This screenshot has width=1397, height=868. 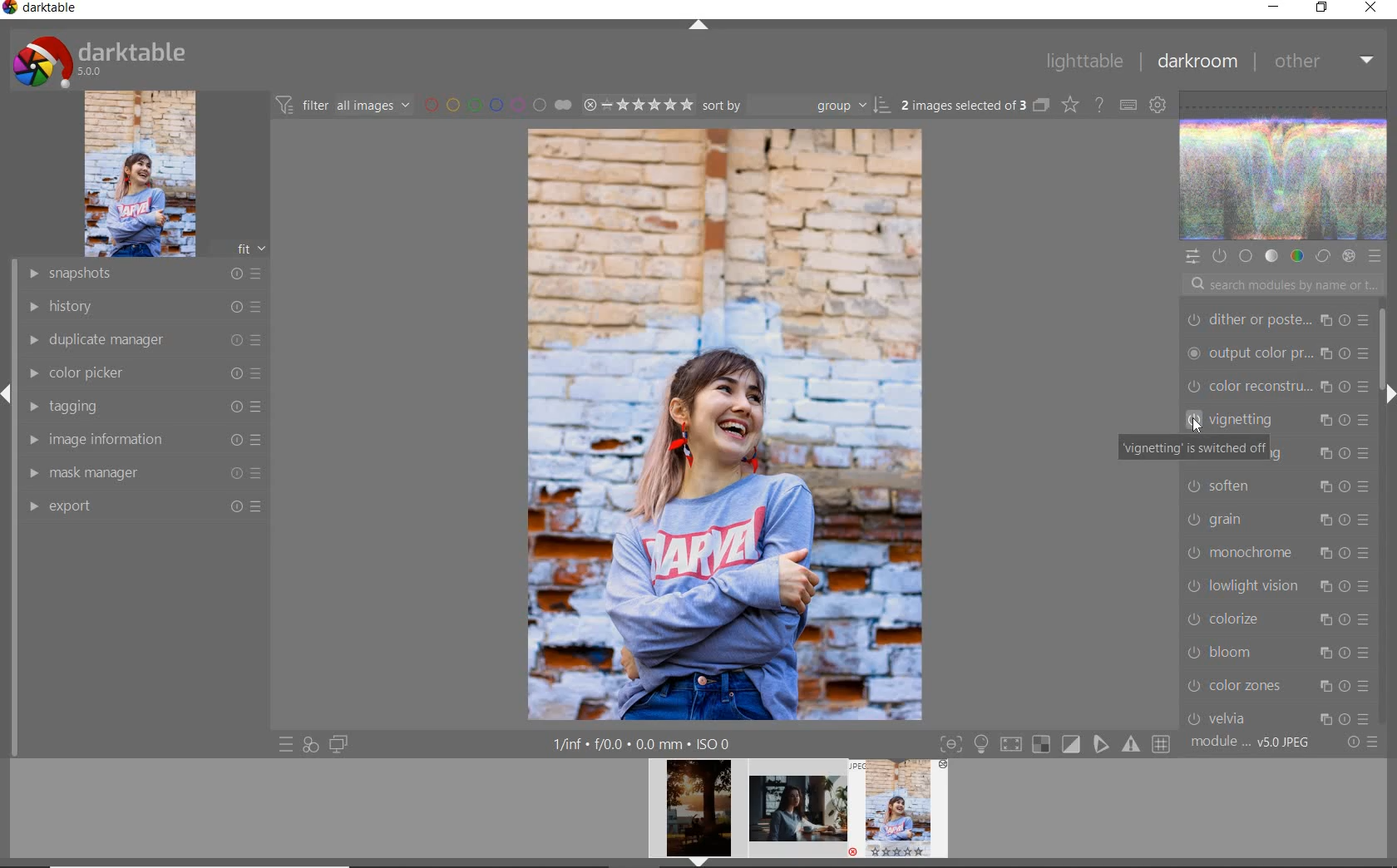 What do you see at coordinates (1278, 353) in the screenshot?
I see `crop` at bounding box center [1278, 353].